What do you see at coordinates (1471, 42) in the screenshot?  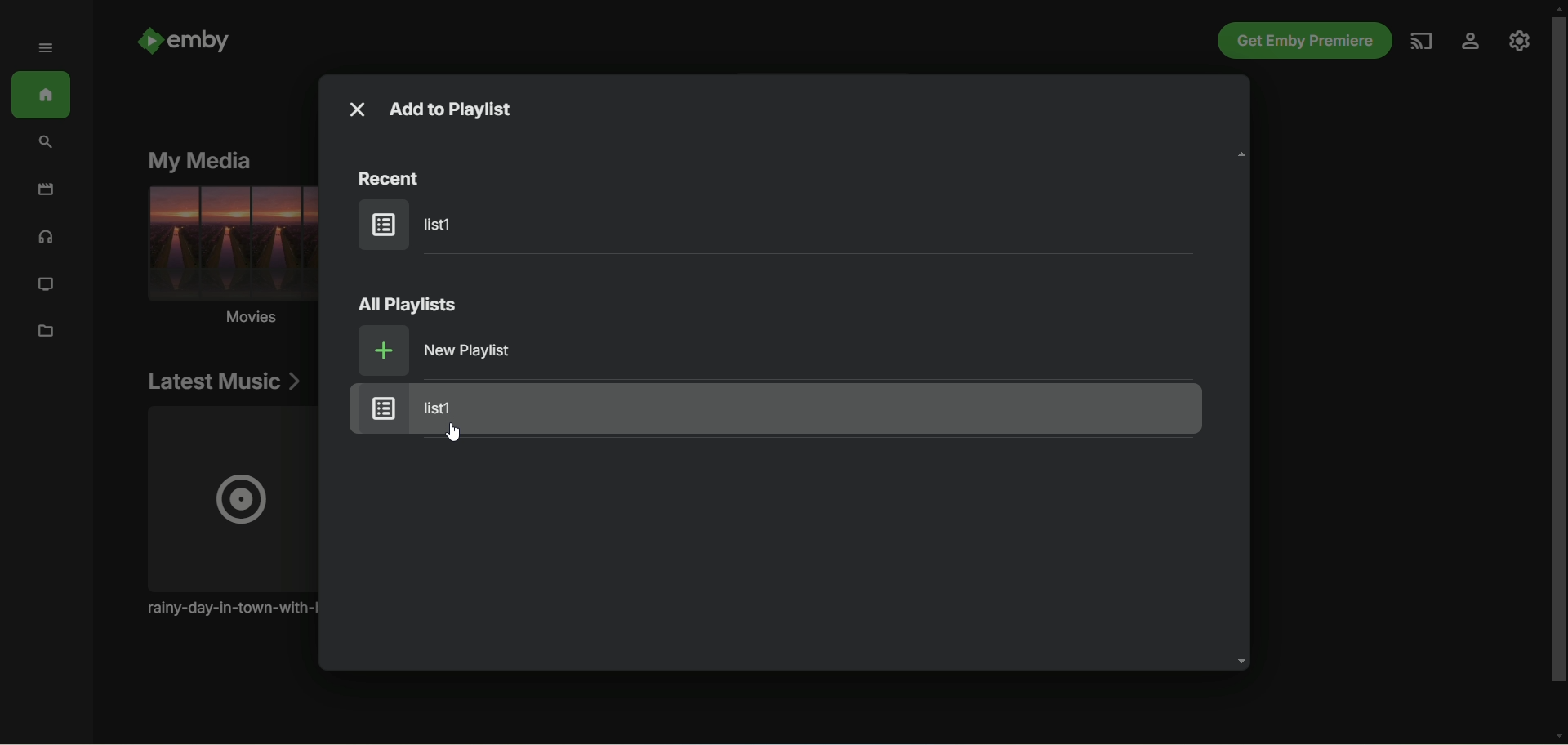 I see `settings` at bounding box center [1471, 42].